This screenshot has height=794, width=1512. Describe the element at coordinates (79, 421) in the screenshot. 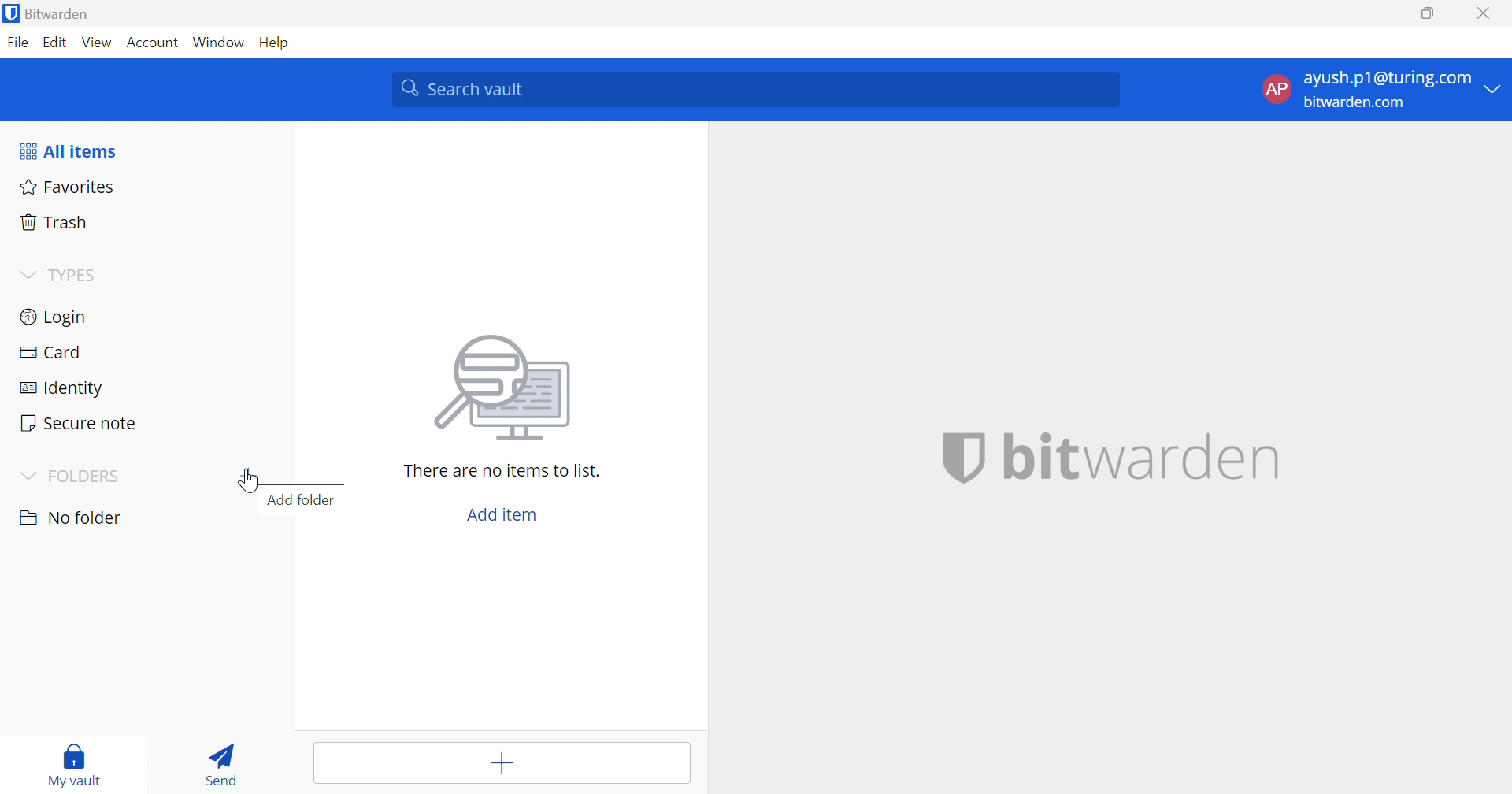

I see `Secure note` at that location.